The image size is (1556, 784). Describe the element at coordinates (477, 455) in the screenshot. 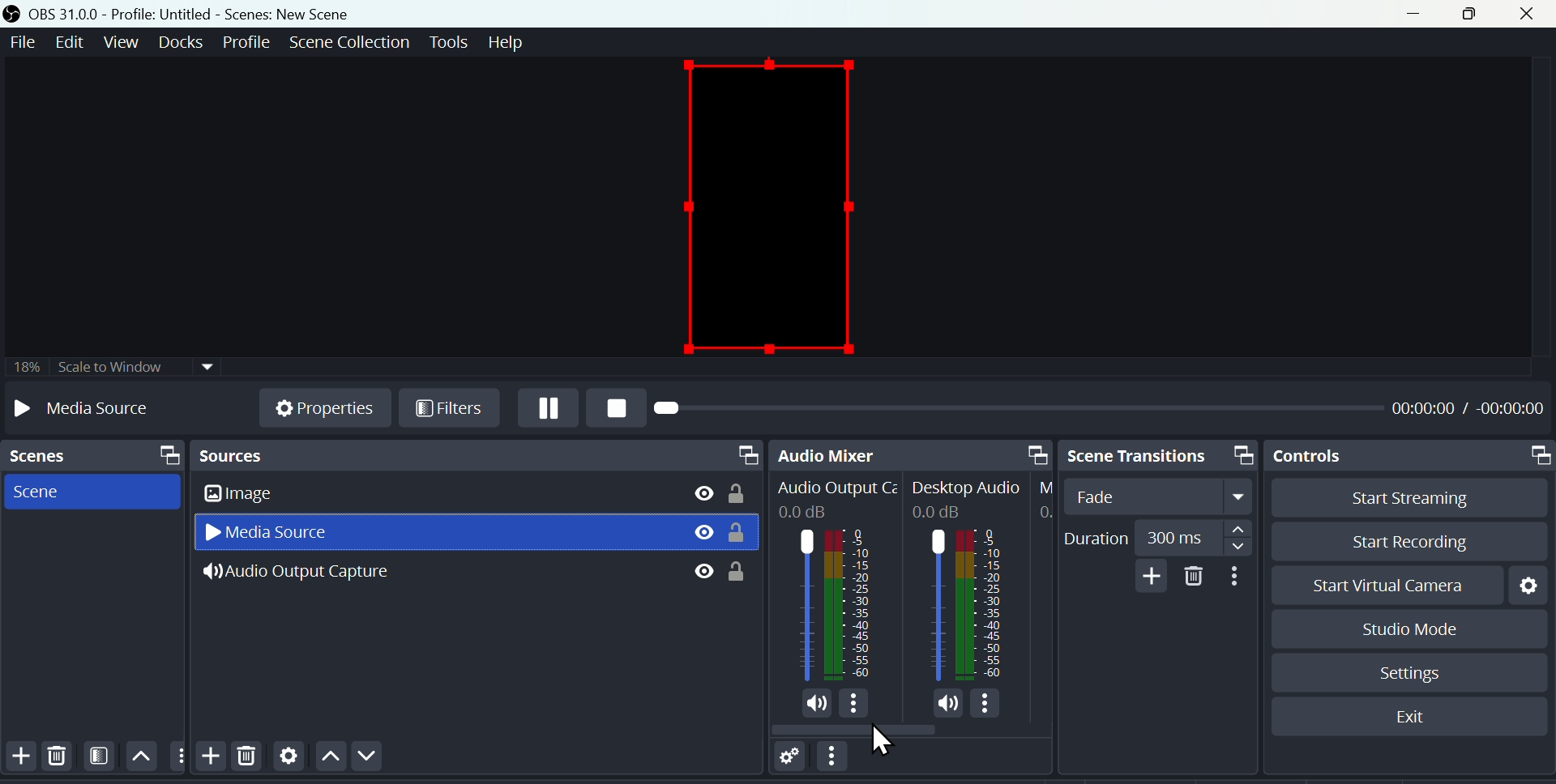

I see `Source` at that location.